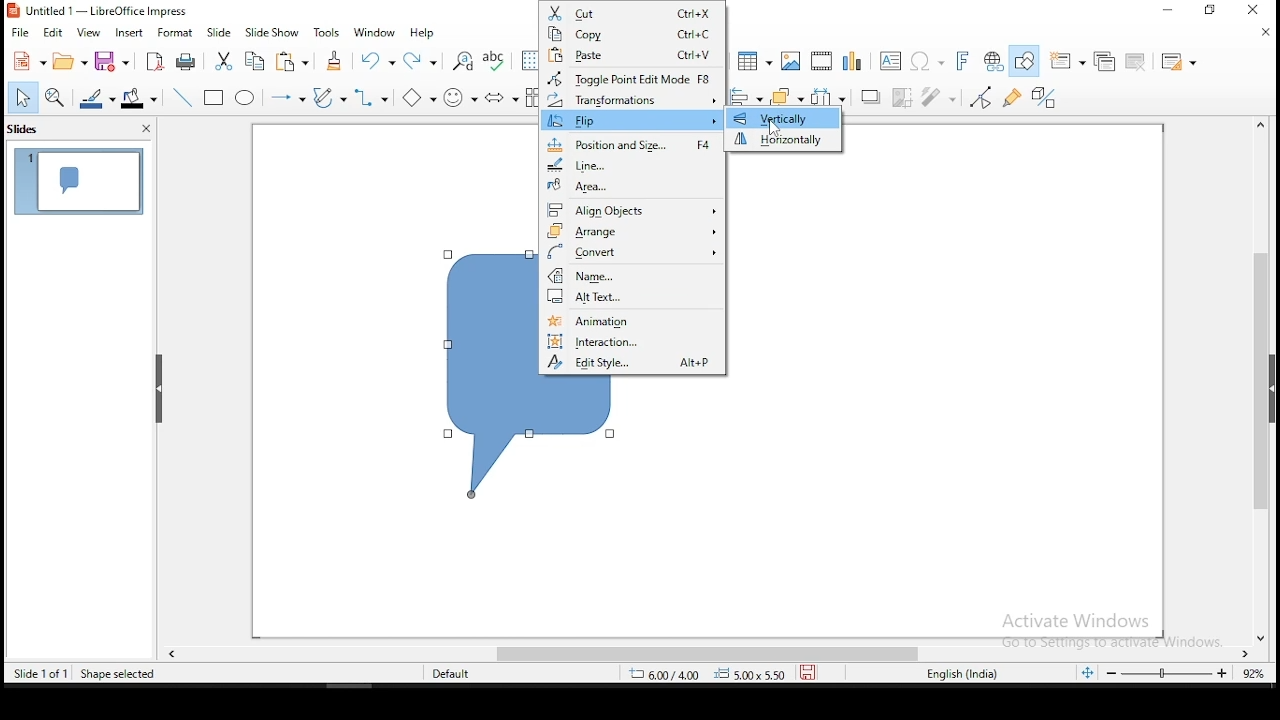 Image resolution: width=1280 pixels, height=720 pixels. What do you see at coordinates (154, 62) in the screenshot?
I see `export as pdf` at bounding box center [154, 62].